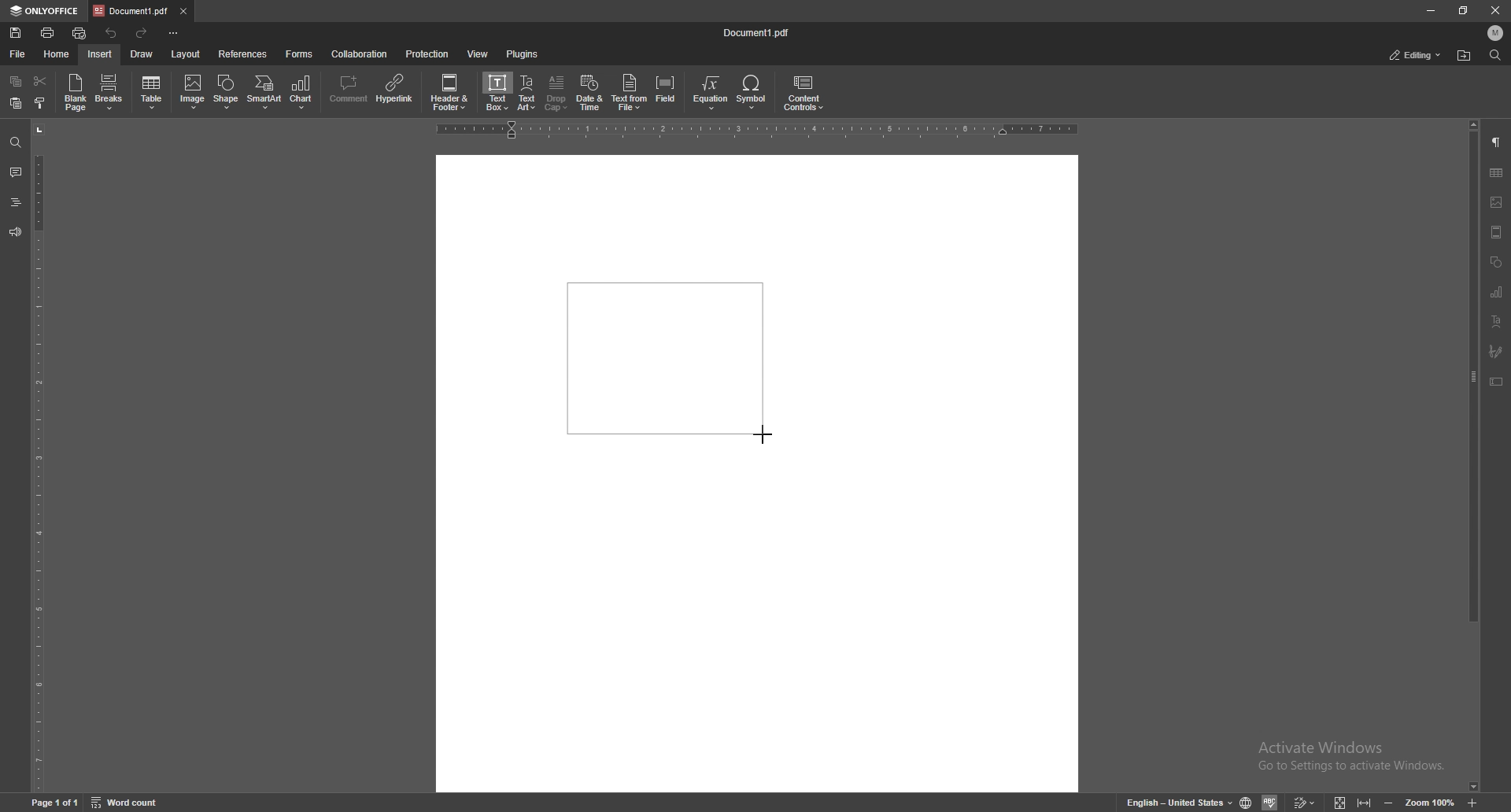  I want to click on status, so click(1416, 55).